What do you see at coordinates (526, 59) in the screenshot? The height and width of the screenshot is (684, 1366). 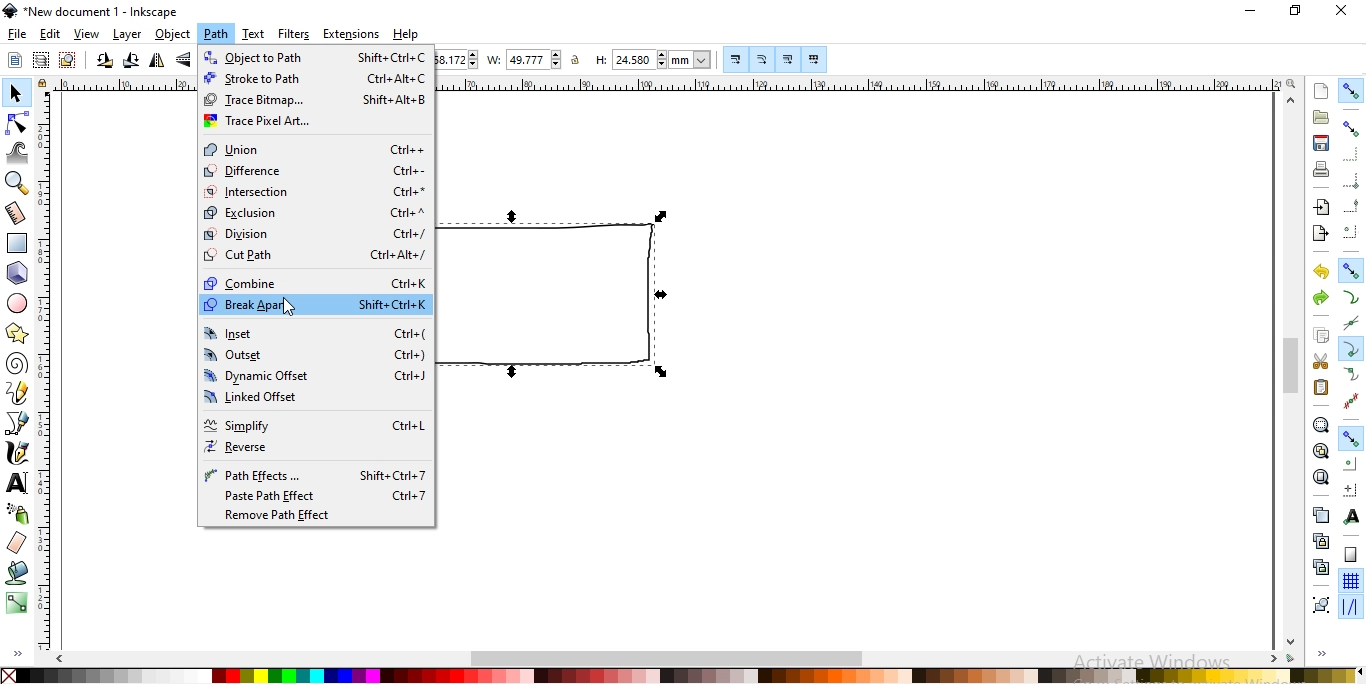 I see `width of selection` at bounding box center [526, 59].